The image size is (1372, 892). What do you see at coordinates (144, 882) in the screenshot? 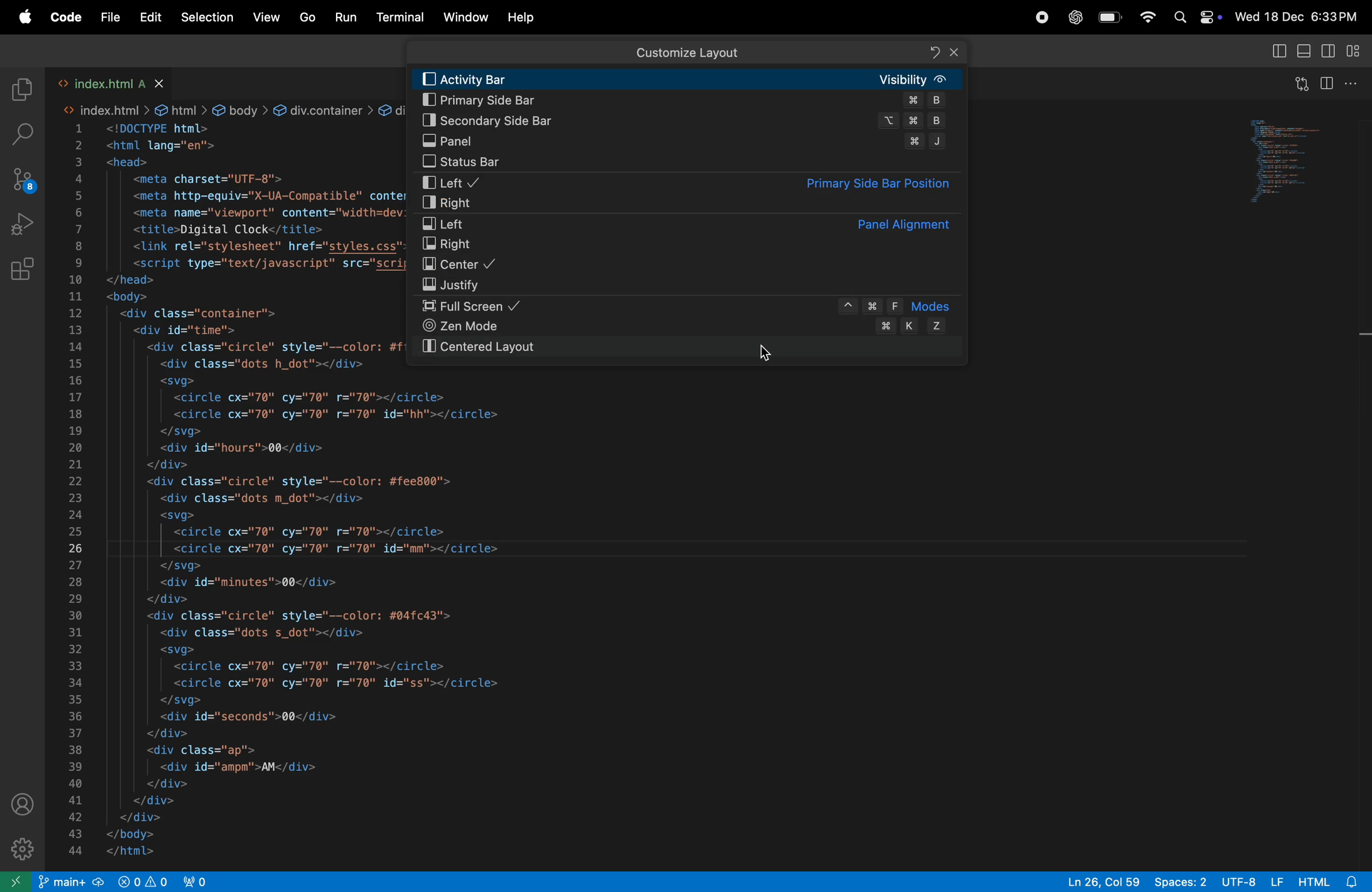
I see `view port` at bounding box center [144, 882].